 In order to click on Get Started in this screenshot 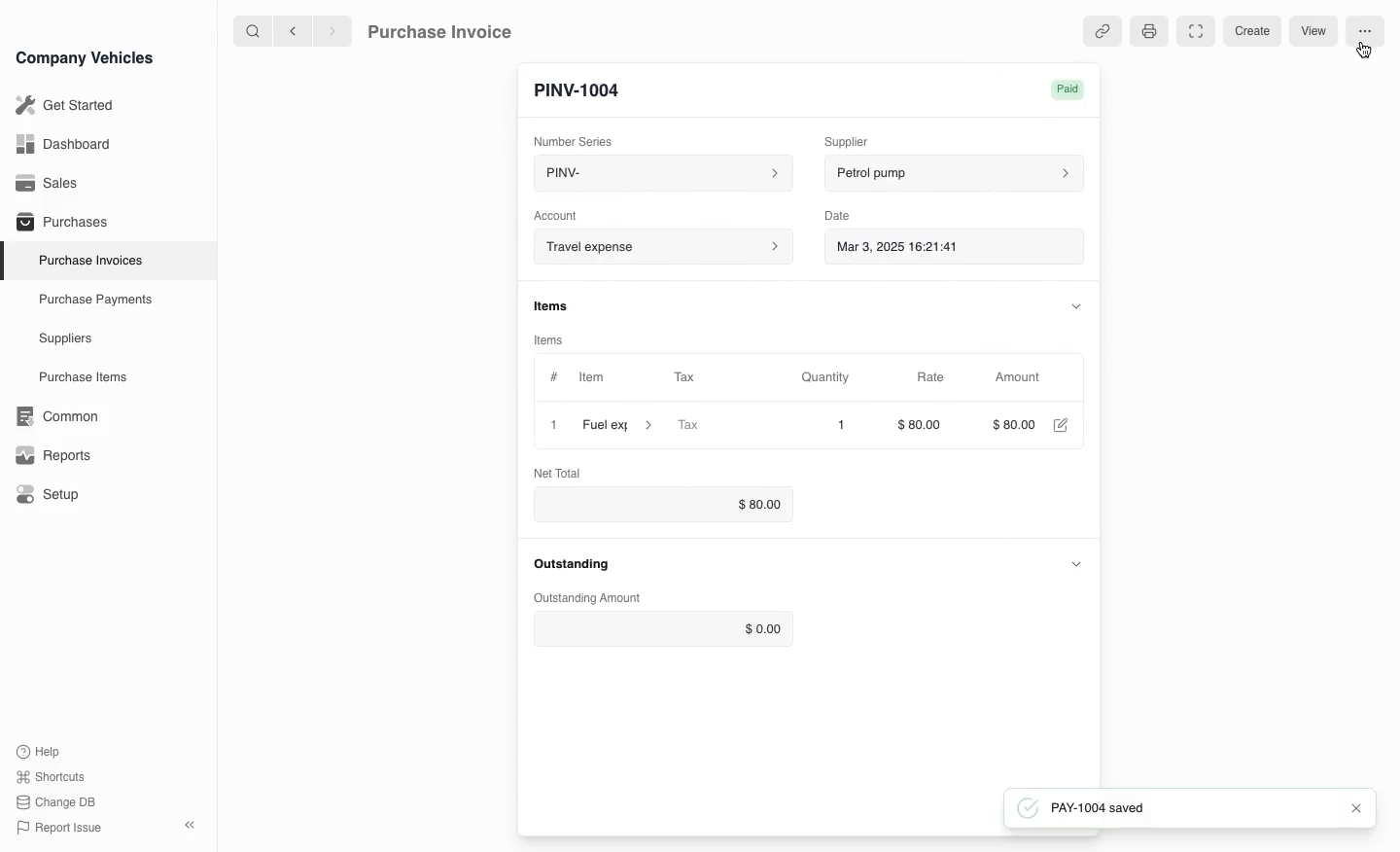, I will do `click(61, 105)`.